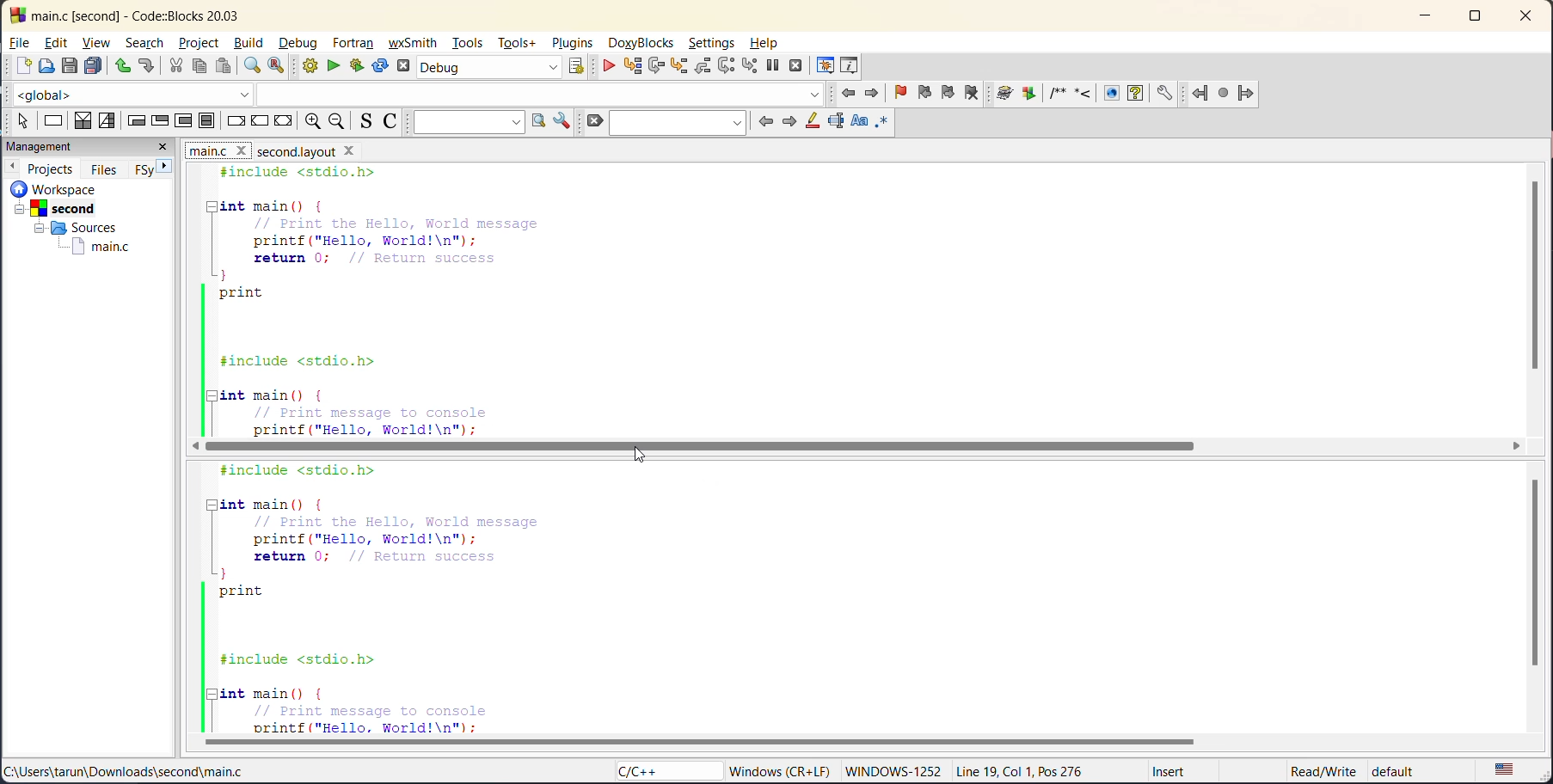 This screenshot has width=1553, height=784. What do you see at coordinates (581, 68) in the screenshot?
I see `show select target dialog` at bounding box center [581, 68].